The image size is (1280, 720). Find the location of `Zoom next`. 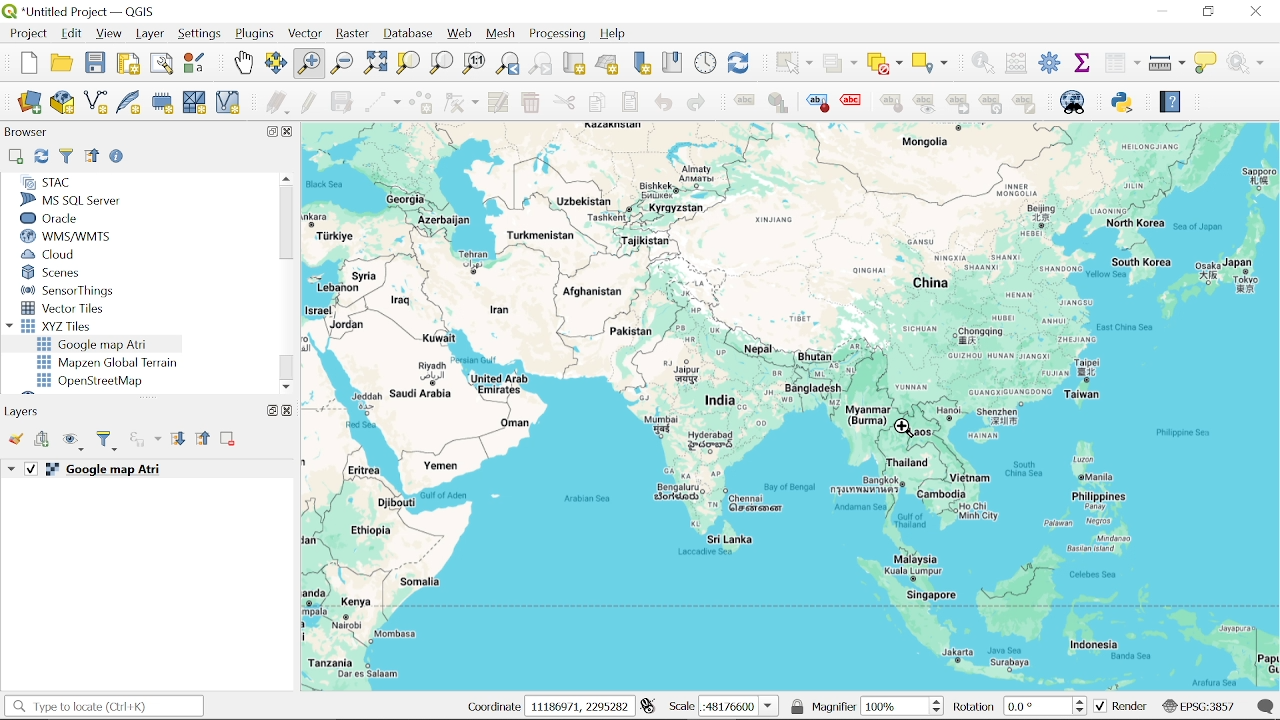

Zoom next is located at coordinates (541, 64).